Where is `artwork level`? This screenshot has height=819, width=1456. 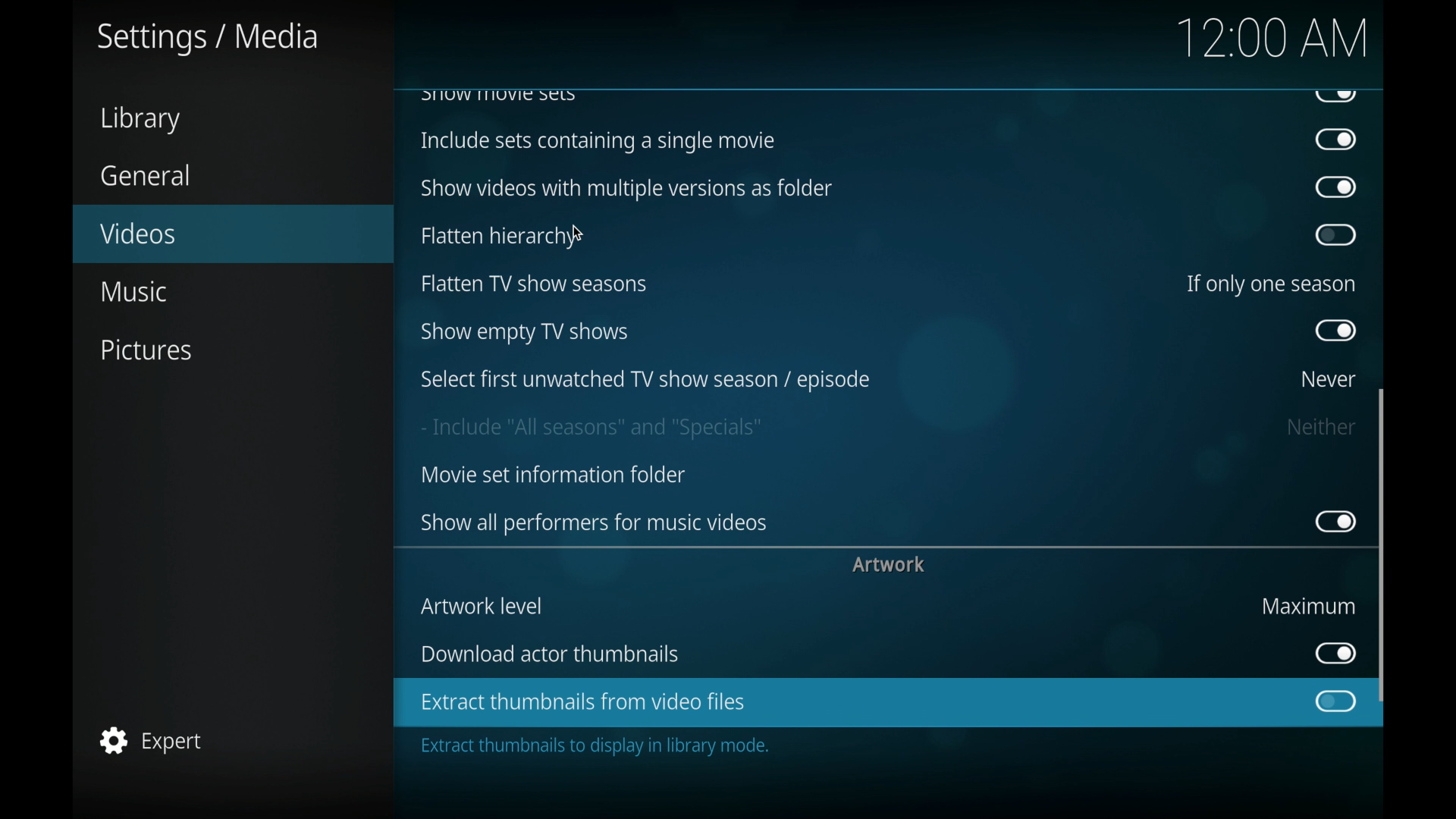
artwork level is located at coordinates (481, 606).